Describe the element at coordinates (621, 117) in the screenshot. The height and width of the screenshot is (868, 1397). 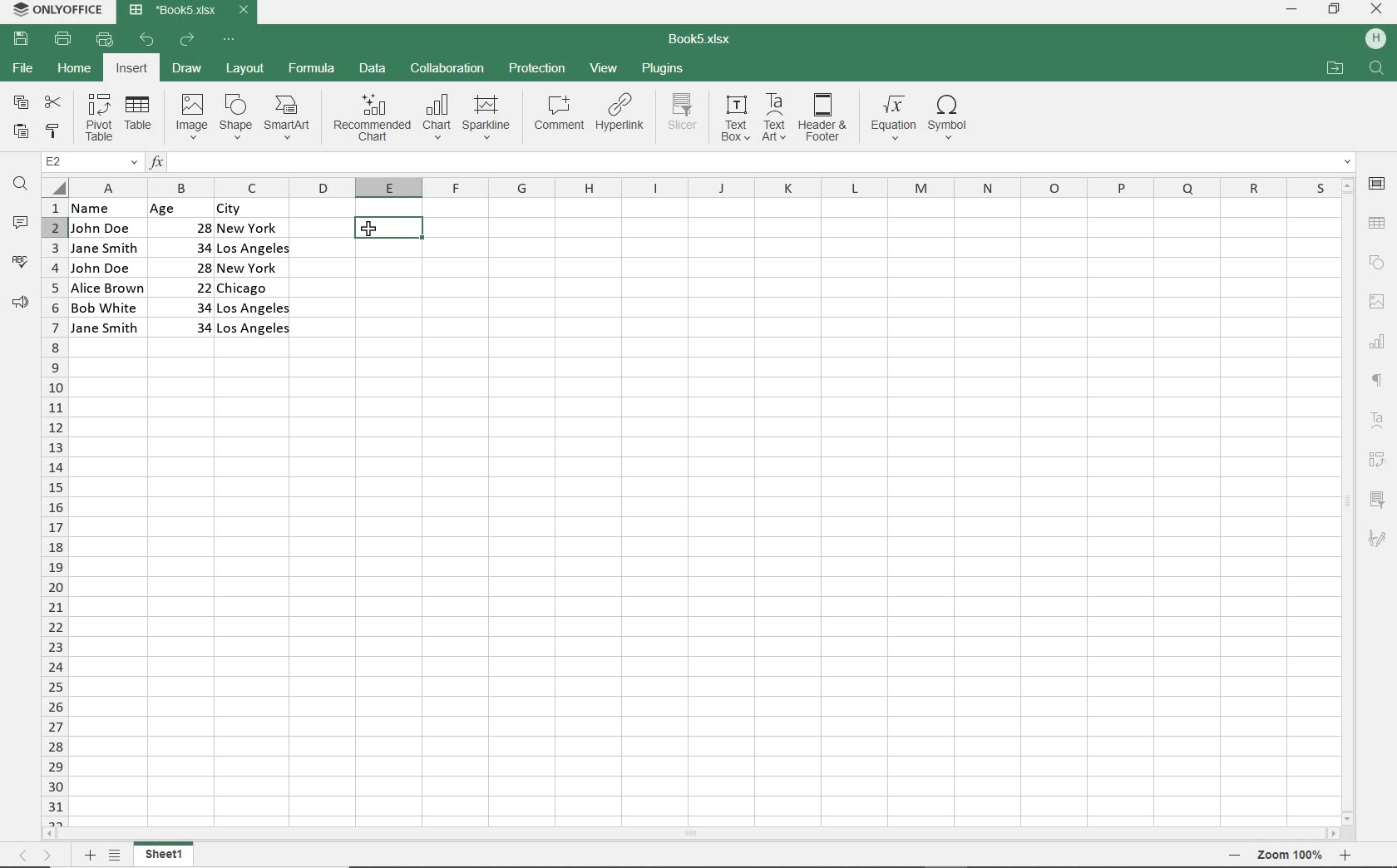
I see `HYPERLINK` at that location.